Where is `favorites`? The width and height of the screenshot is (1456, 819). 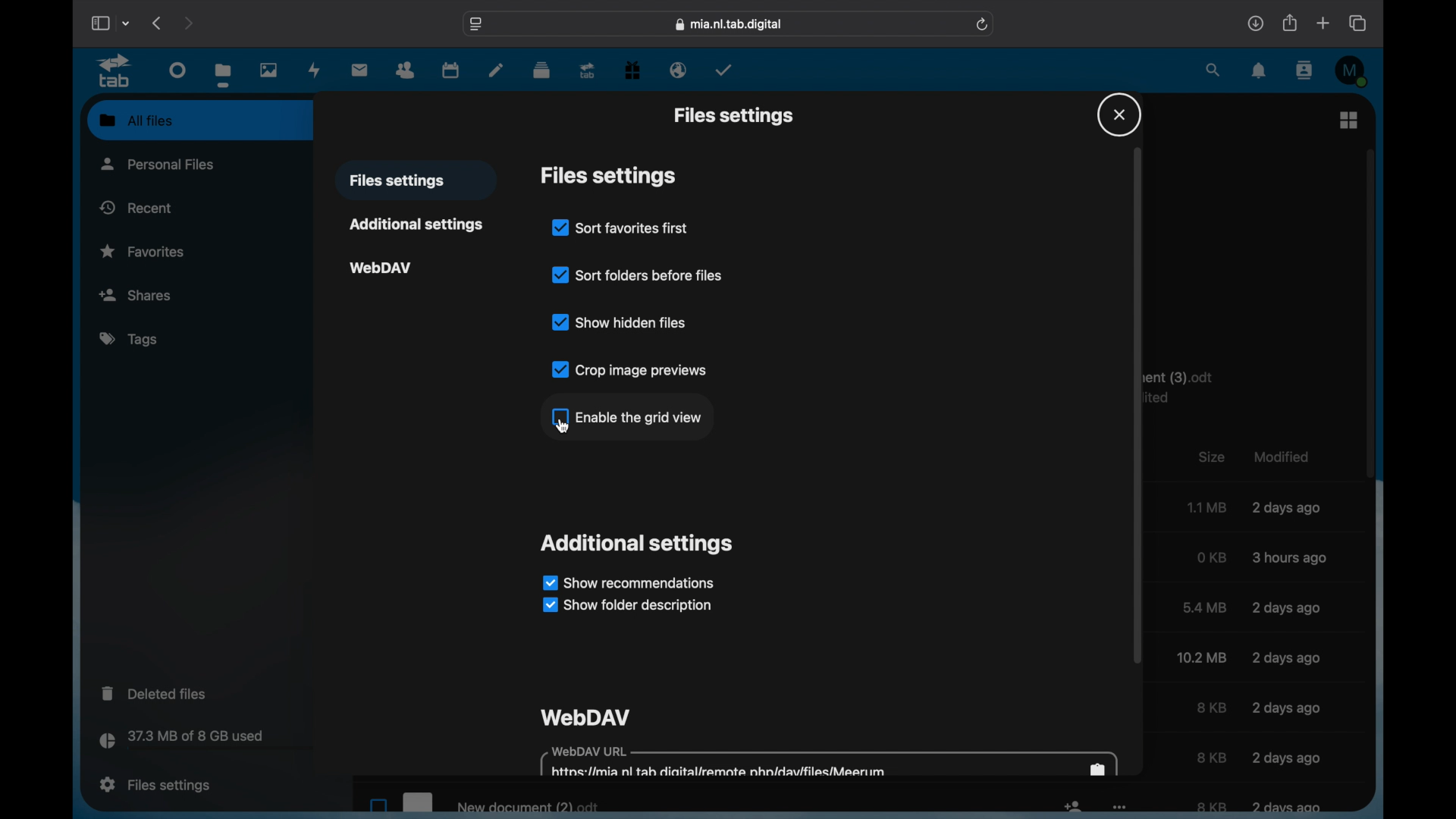 favorites is located at coordinates (144, 252).